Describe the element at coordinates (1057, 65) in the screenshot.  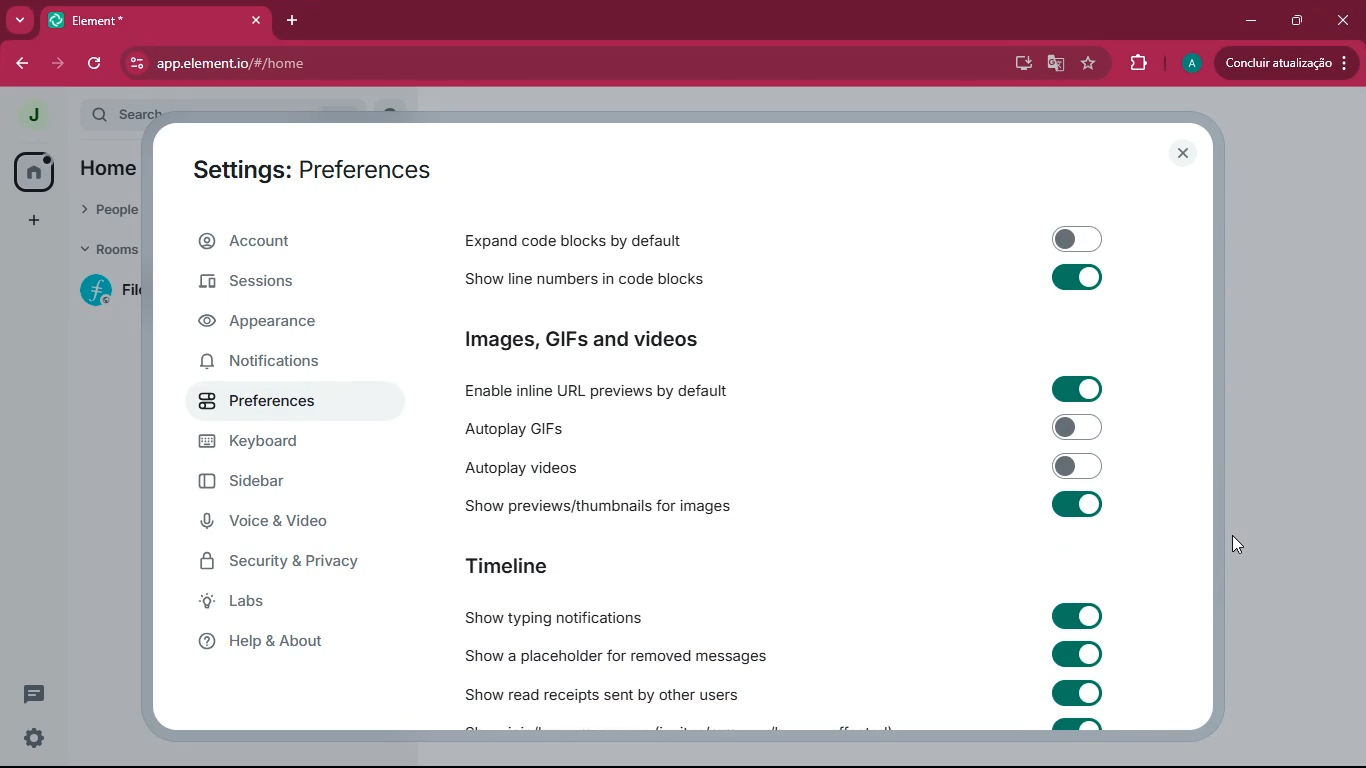
I see `google translate` at that location.